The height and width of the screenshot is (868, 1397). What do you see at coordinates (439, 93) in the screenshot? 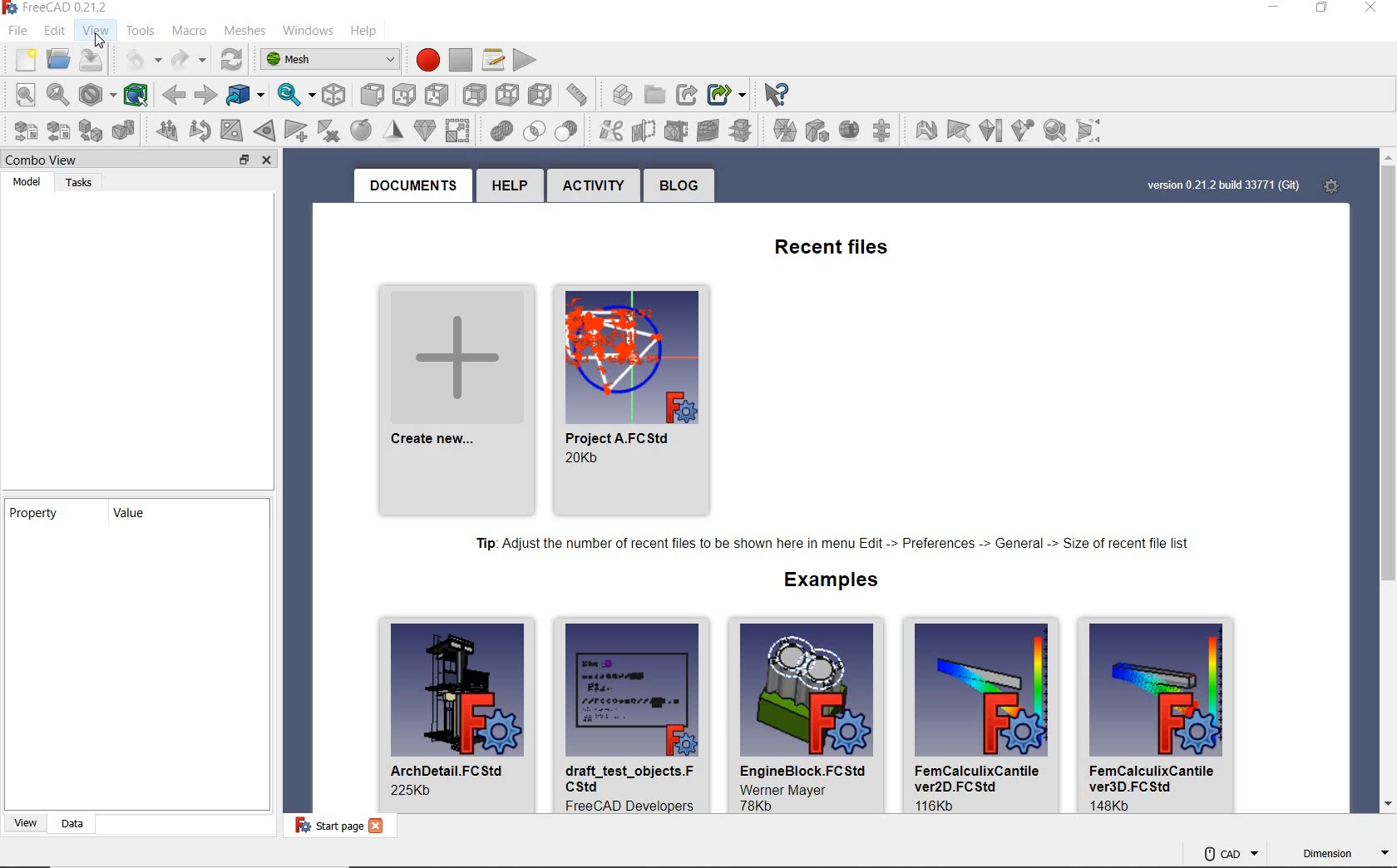
I see `rear` at bounding box center [439, 93].